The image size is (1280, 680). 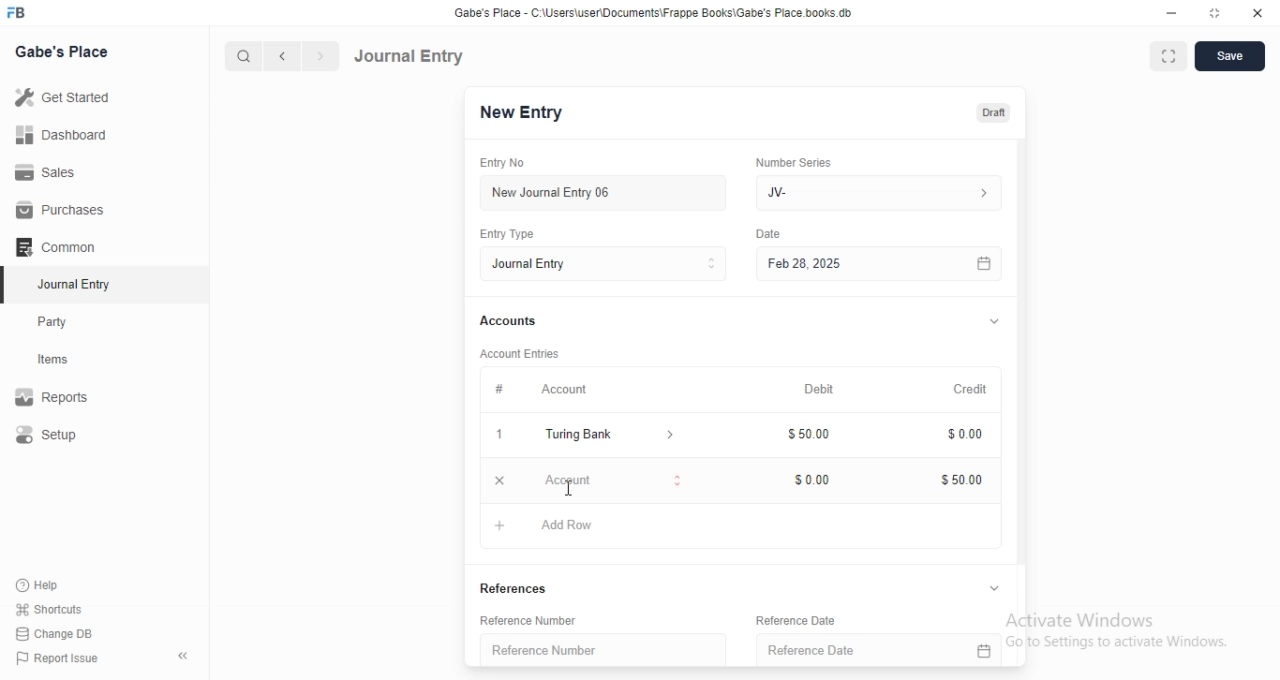 I want to click on search, so click(x=245, y=56).